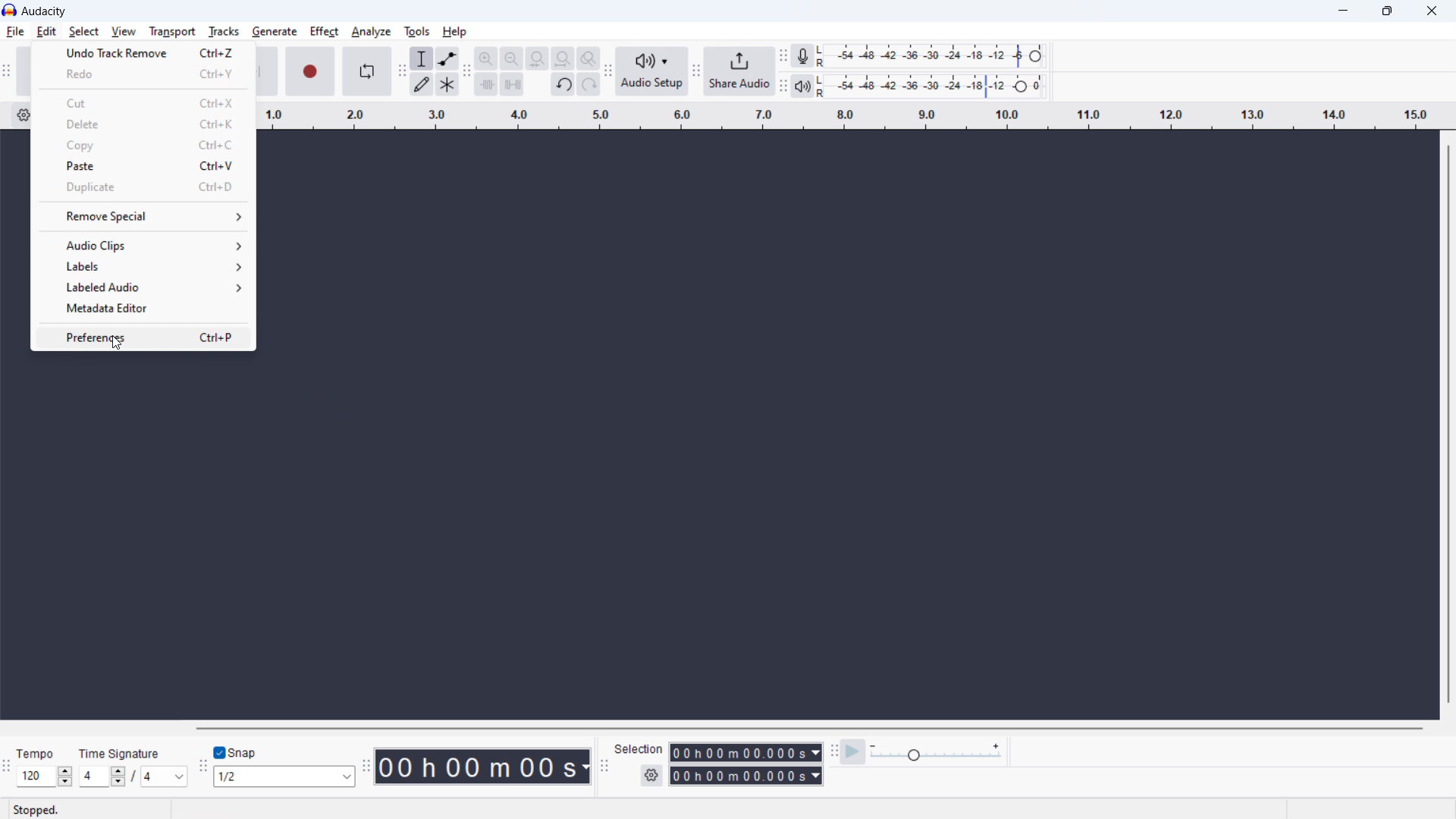  What do you see at coordinates (930, 55) in the screenshot?
I see `recording level` at bounding box center [930, 55].